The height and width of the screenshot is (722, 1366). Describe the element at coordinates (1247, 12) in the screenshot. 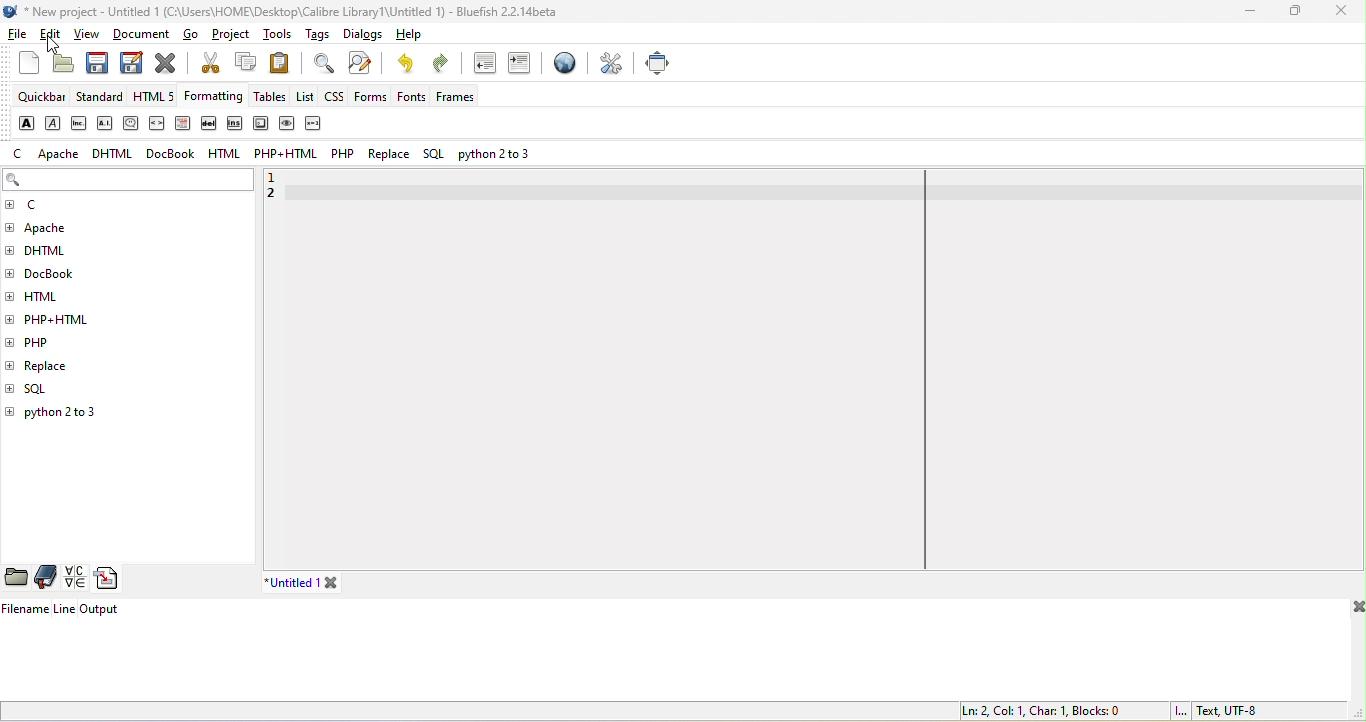

I see `minimize` at that location.